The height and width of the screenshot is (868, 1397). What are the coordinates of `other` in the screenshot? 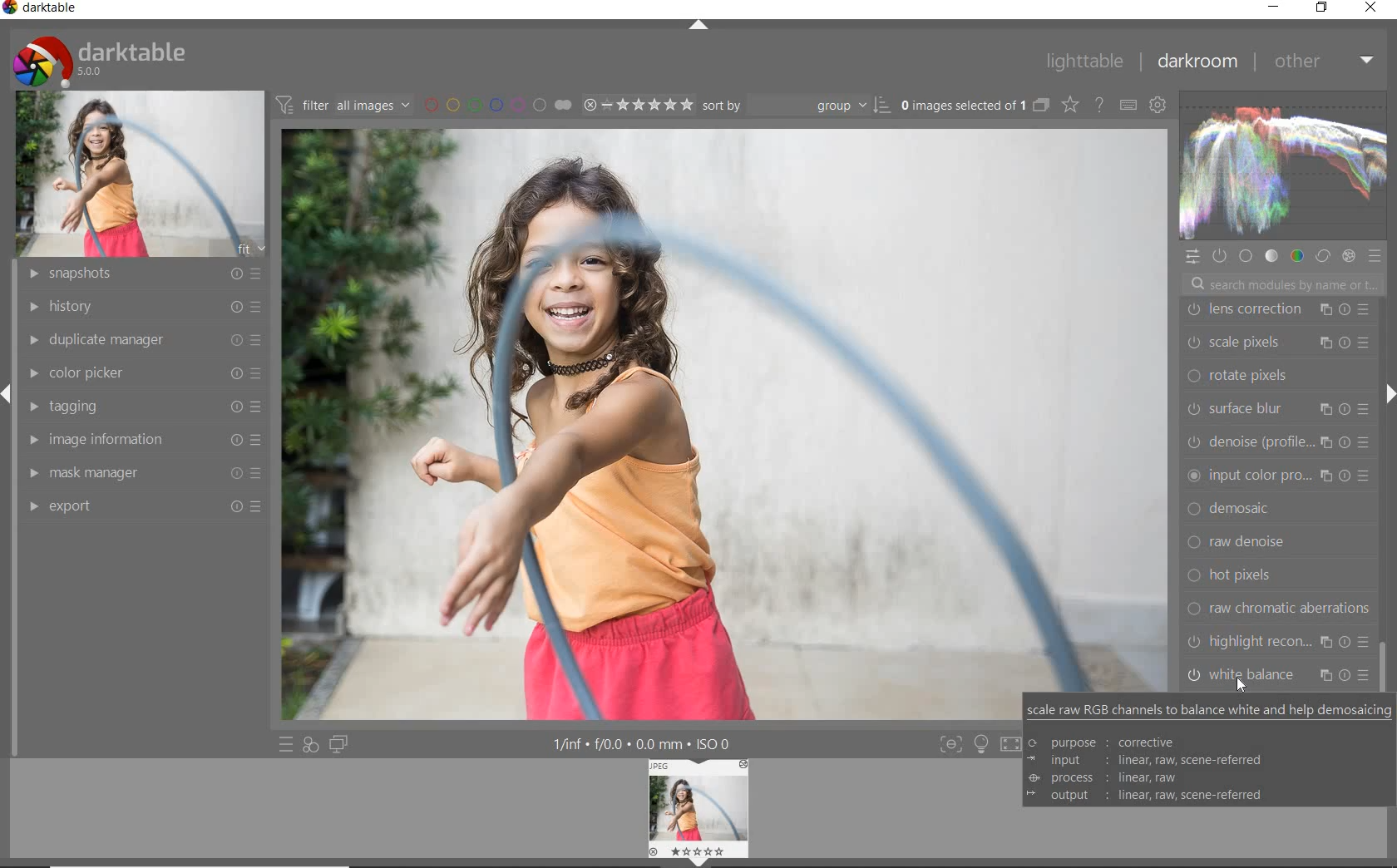 It's located at (1324, 61).